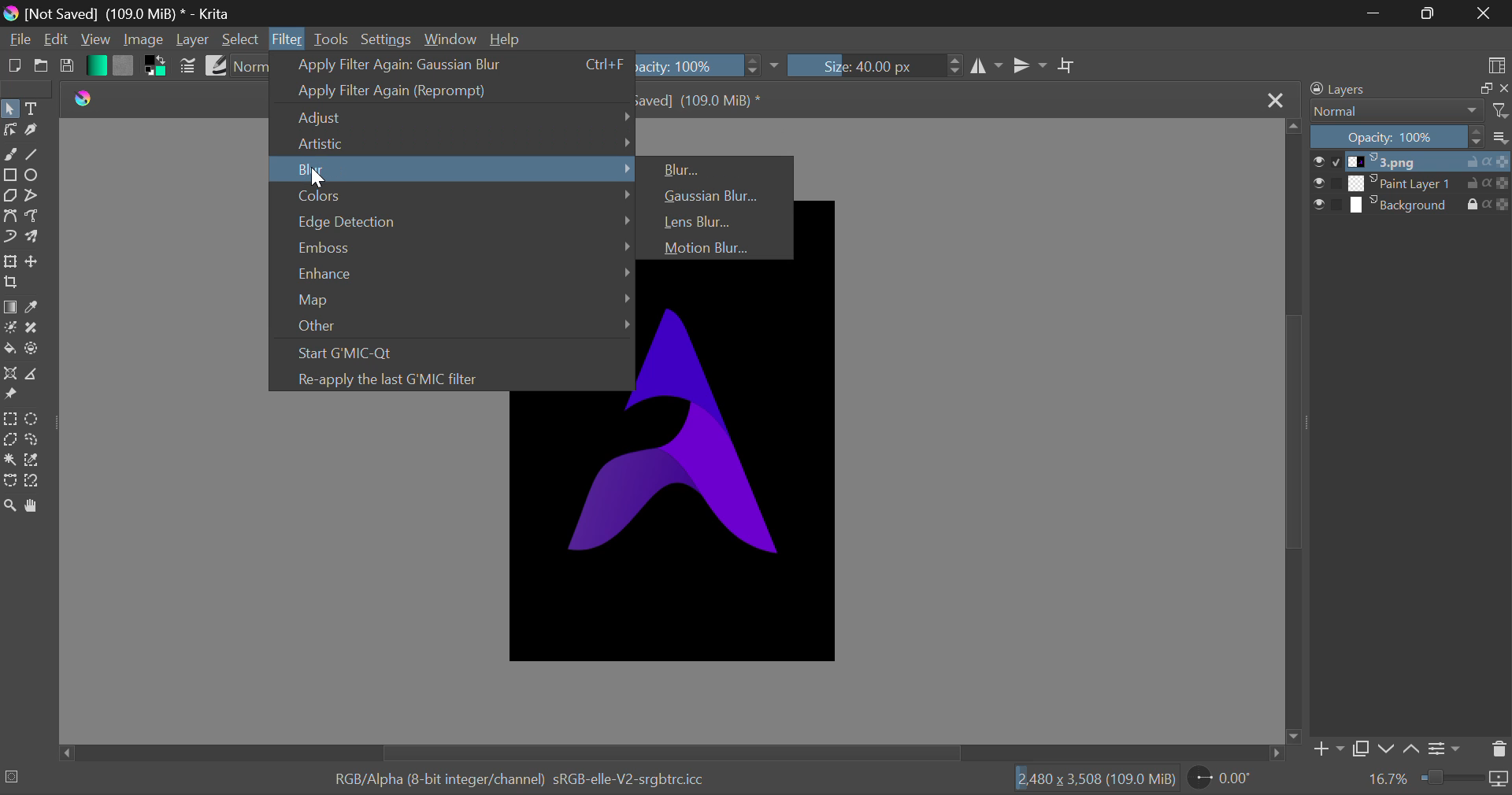 Image resolution: width=1512 pixels, height=795 pixels. Describe the element at coordinates (331, 40) in the screenshot. I see `Tools` at that location.